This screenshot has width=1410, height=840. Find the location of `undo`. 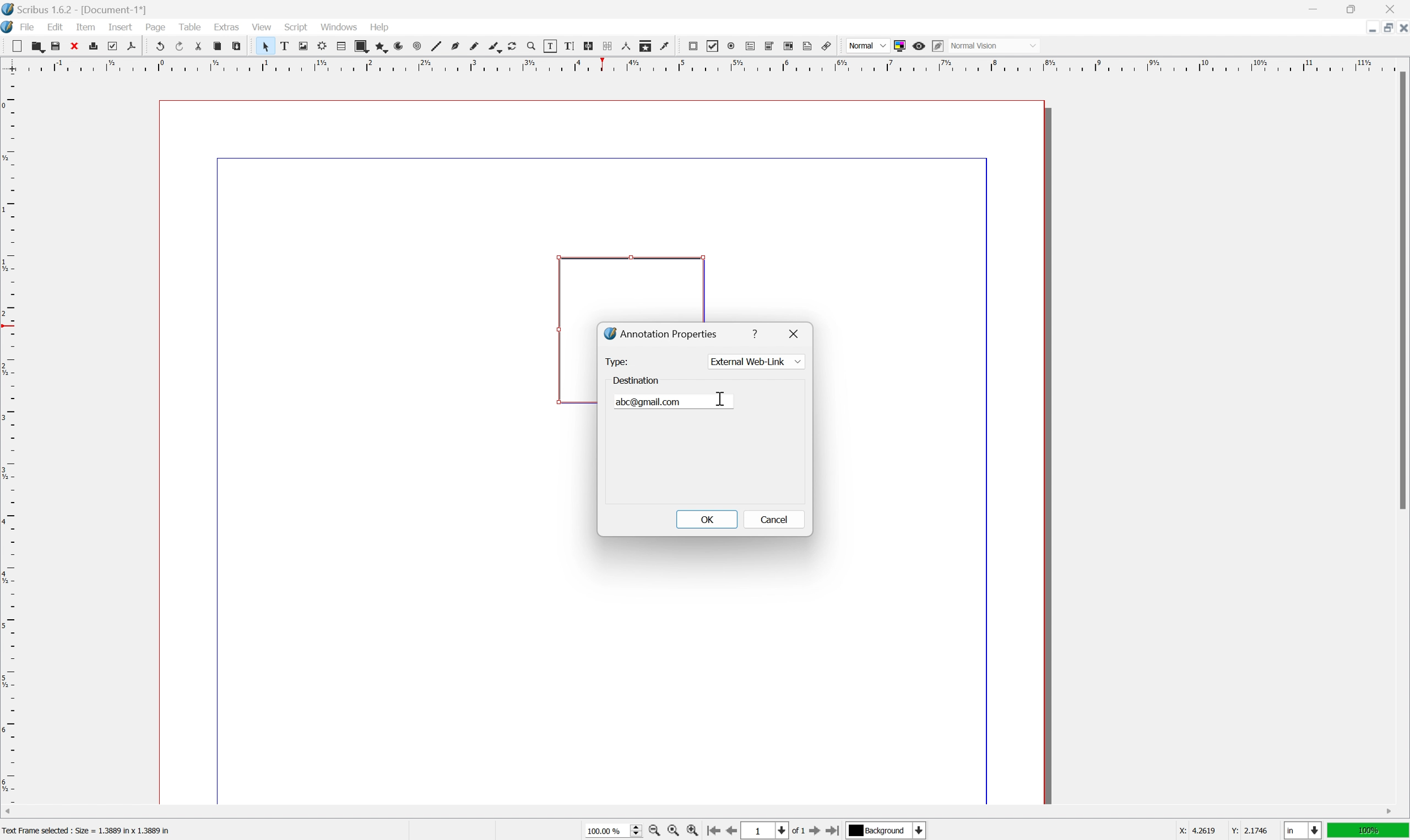

undo is located at coordinates (158, 45).